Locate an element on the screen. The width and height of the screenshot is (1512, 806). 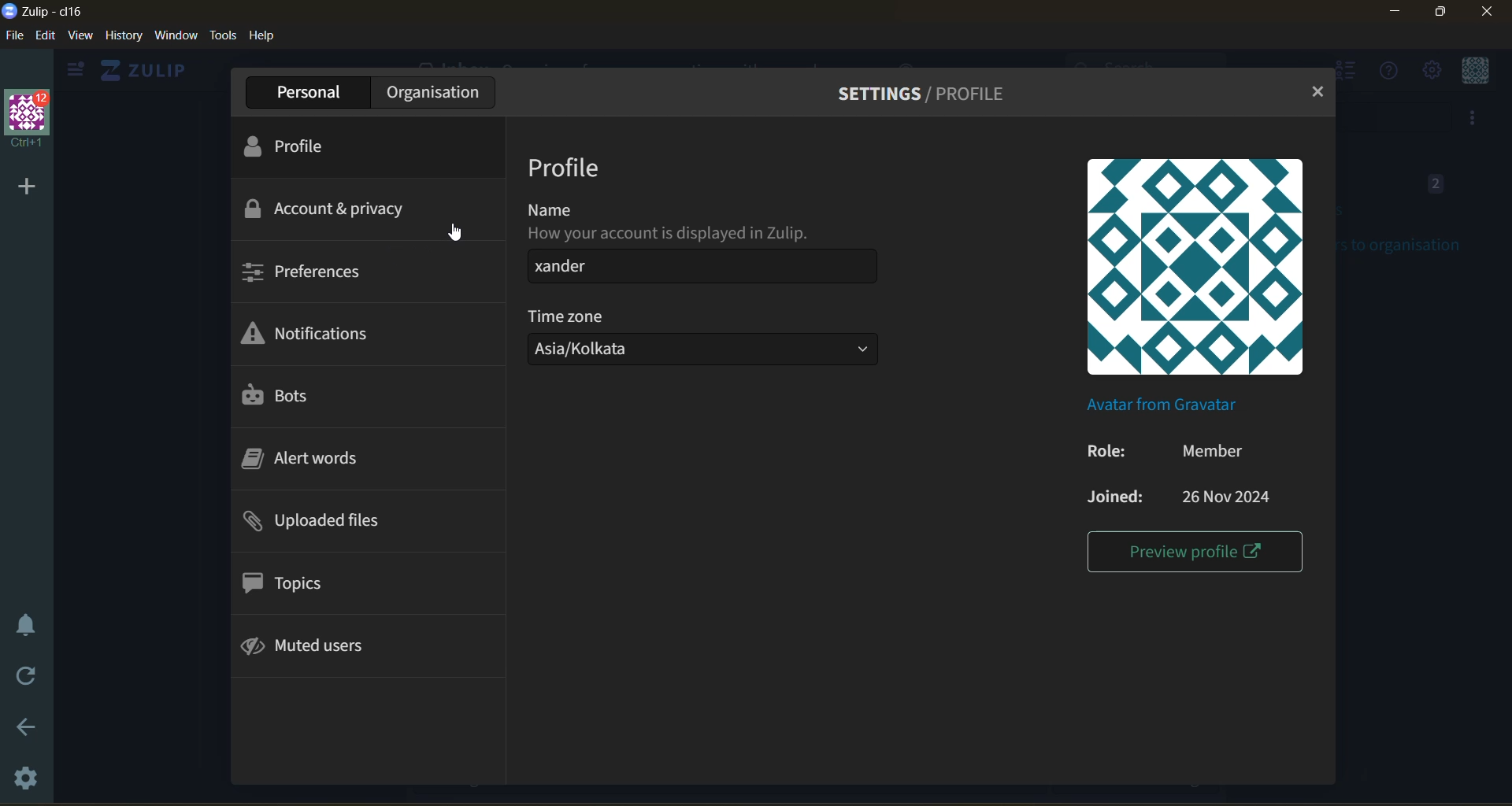
enable do not disturb is located at coordinates (26, 625).